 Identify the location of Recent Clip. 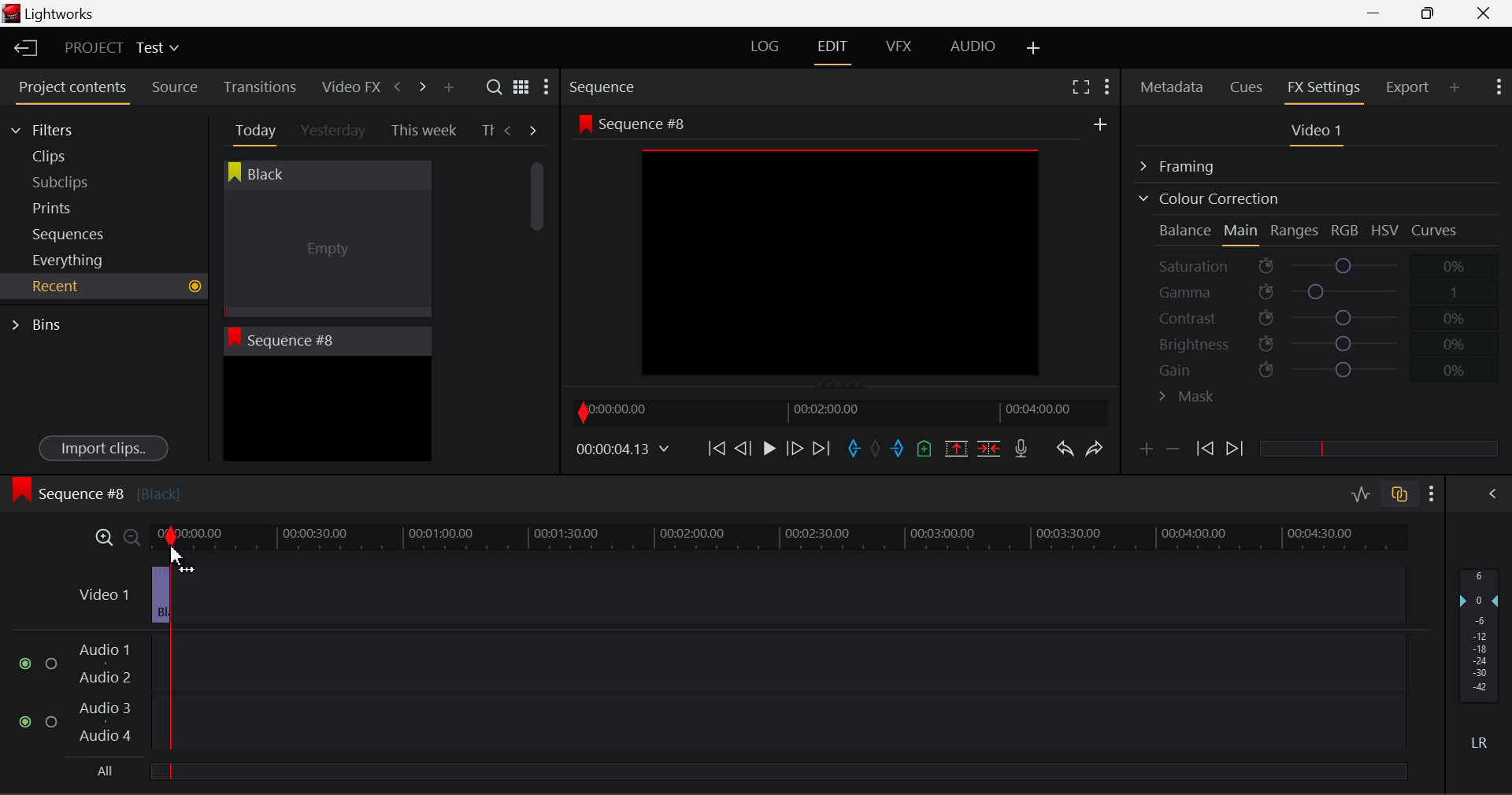
(327, 412).